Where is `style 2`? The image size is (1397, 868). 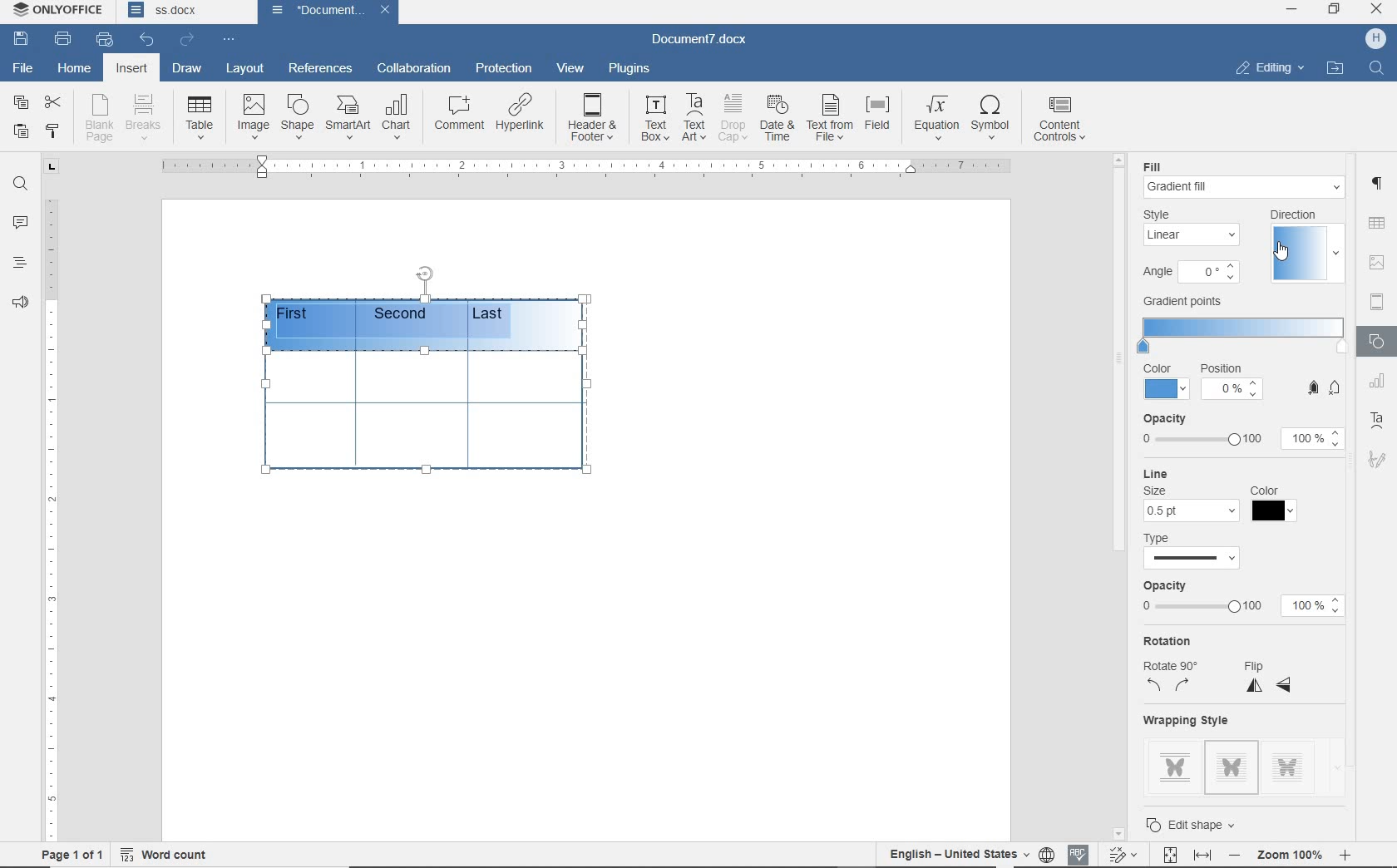
style 2 is located at coordinates (1233, 767).